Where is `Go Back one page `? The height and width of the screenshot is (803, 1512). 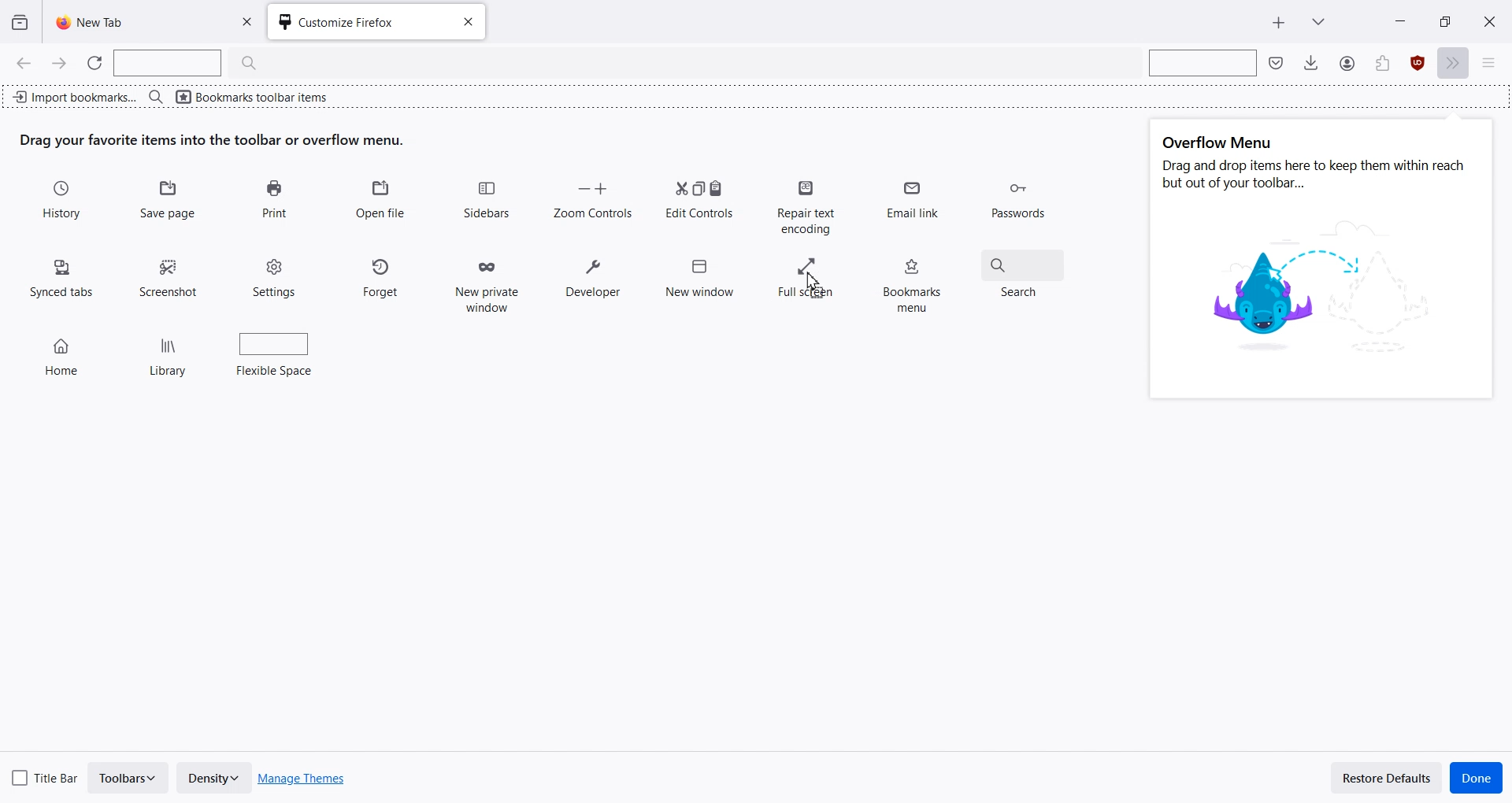 Go Back one page  is located at coordinates (22, 62).